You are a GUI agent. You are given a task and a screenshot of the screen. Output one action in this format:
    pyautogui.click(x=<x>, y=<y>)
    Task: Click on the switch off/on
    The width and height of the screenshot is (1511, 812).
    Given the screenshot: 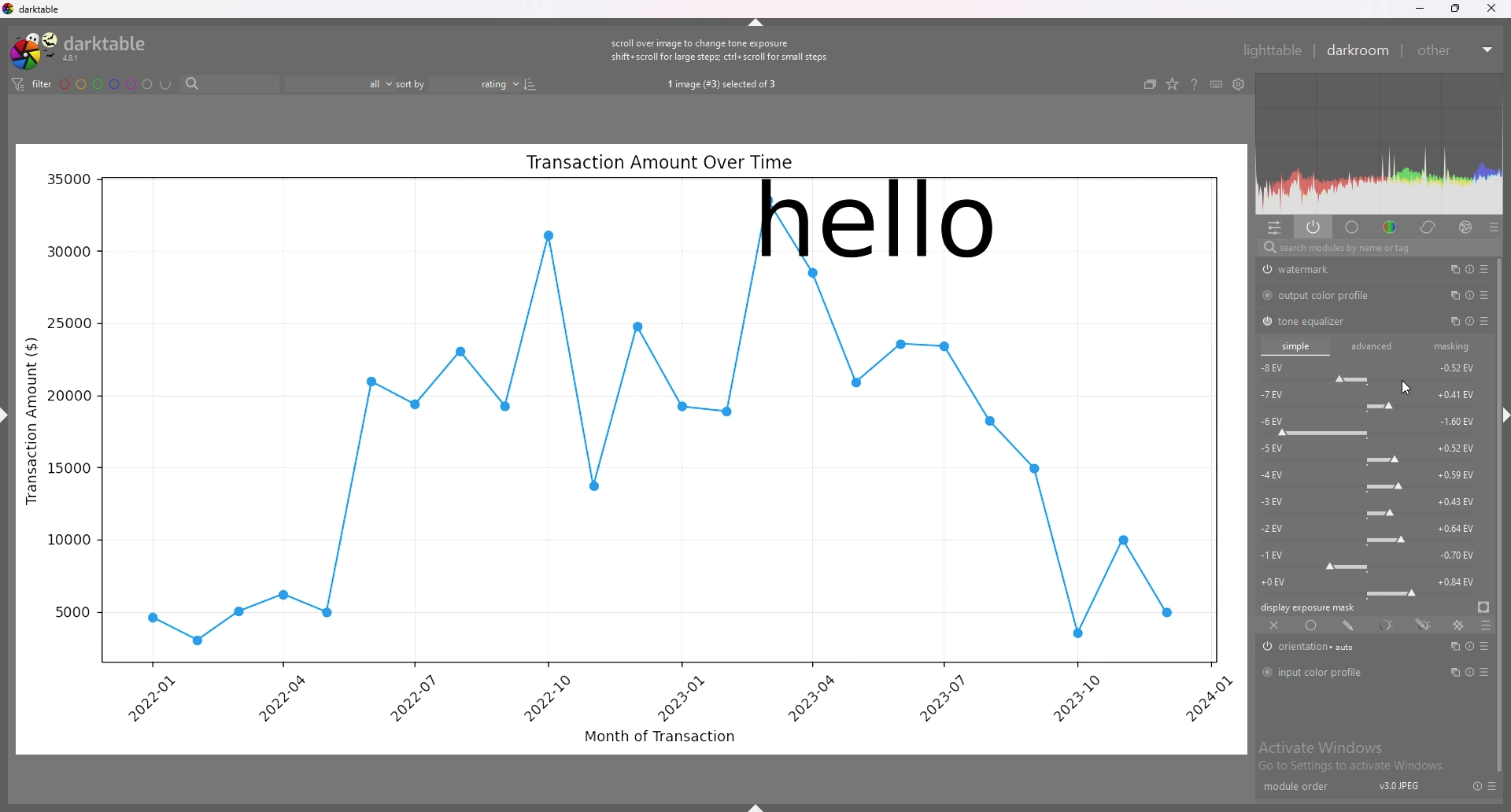 What is the action you would take?
    pyautogui.click(x=1265, y=295)
    